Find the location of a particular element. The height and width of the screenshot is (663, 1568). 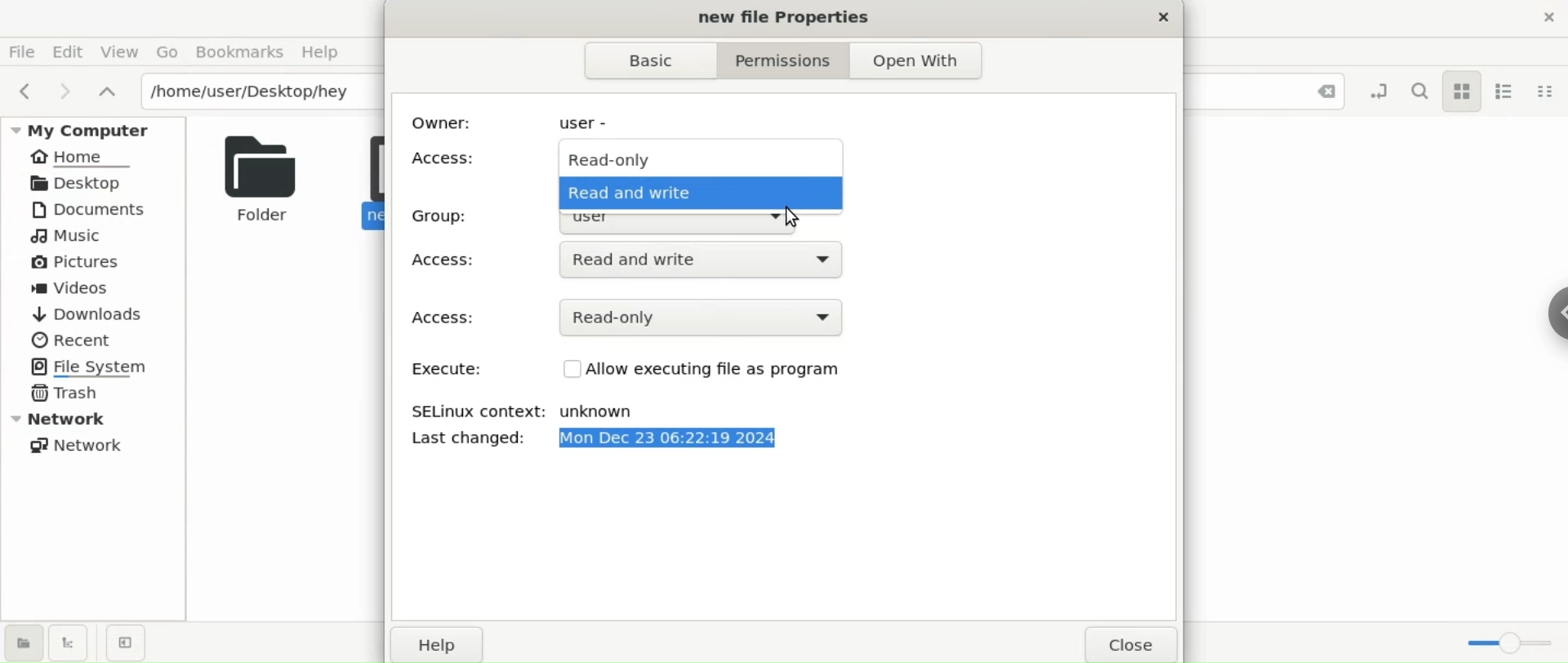

close is located at coordinates (1165, 20).